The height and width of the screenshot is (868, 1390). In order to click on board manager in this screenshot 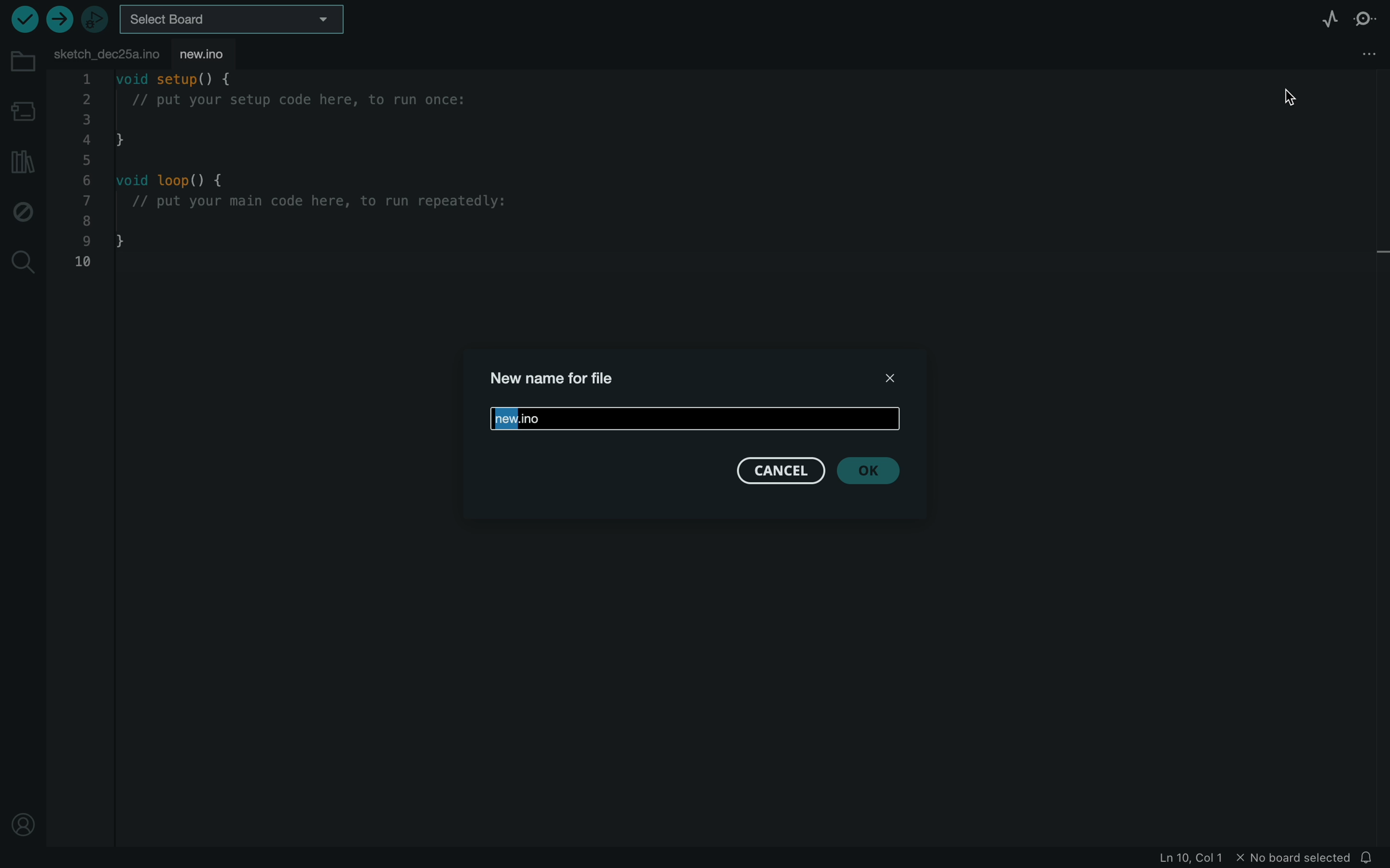, I will do `click(23, 108)`.